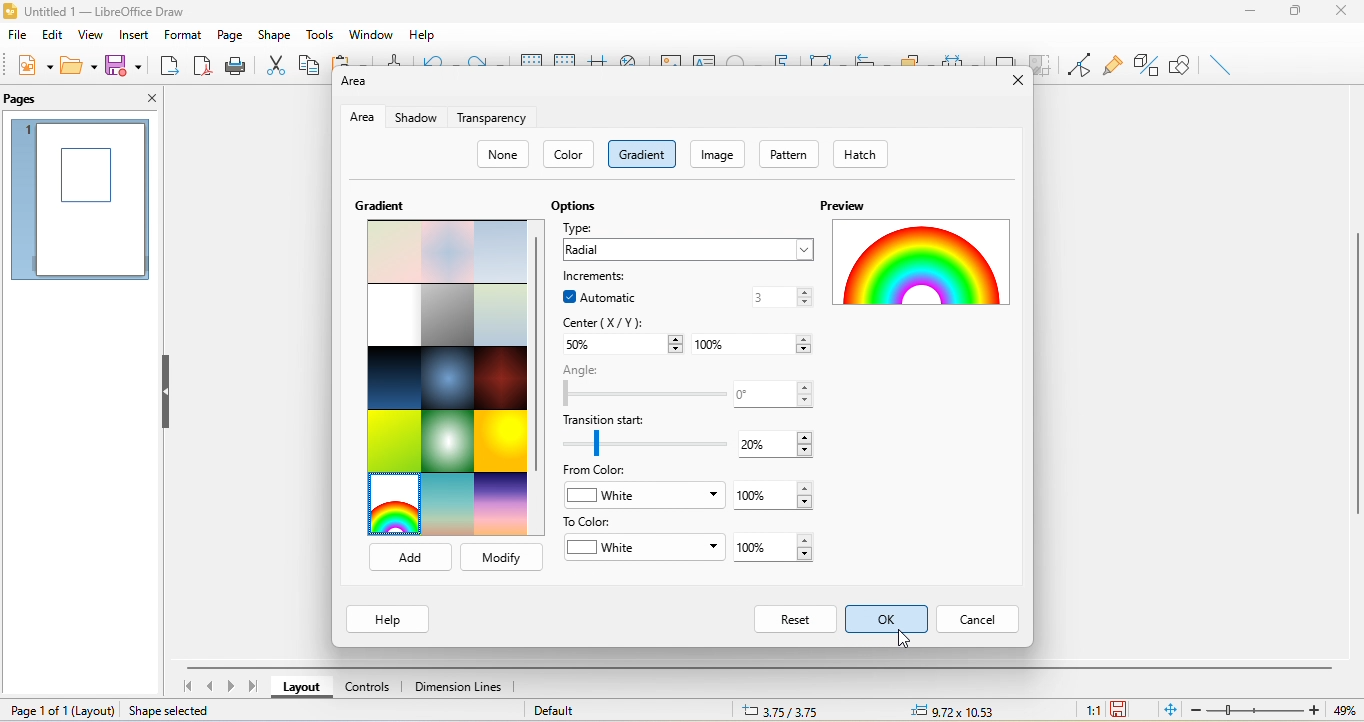 The image size is (1364, 722). I want to click on close, so click(1012, 80).